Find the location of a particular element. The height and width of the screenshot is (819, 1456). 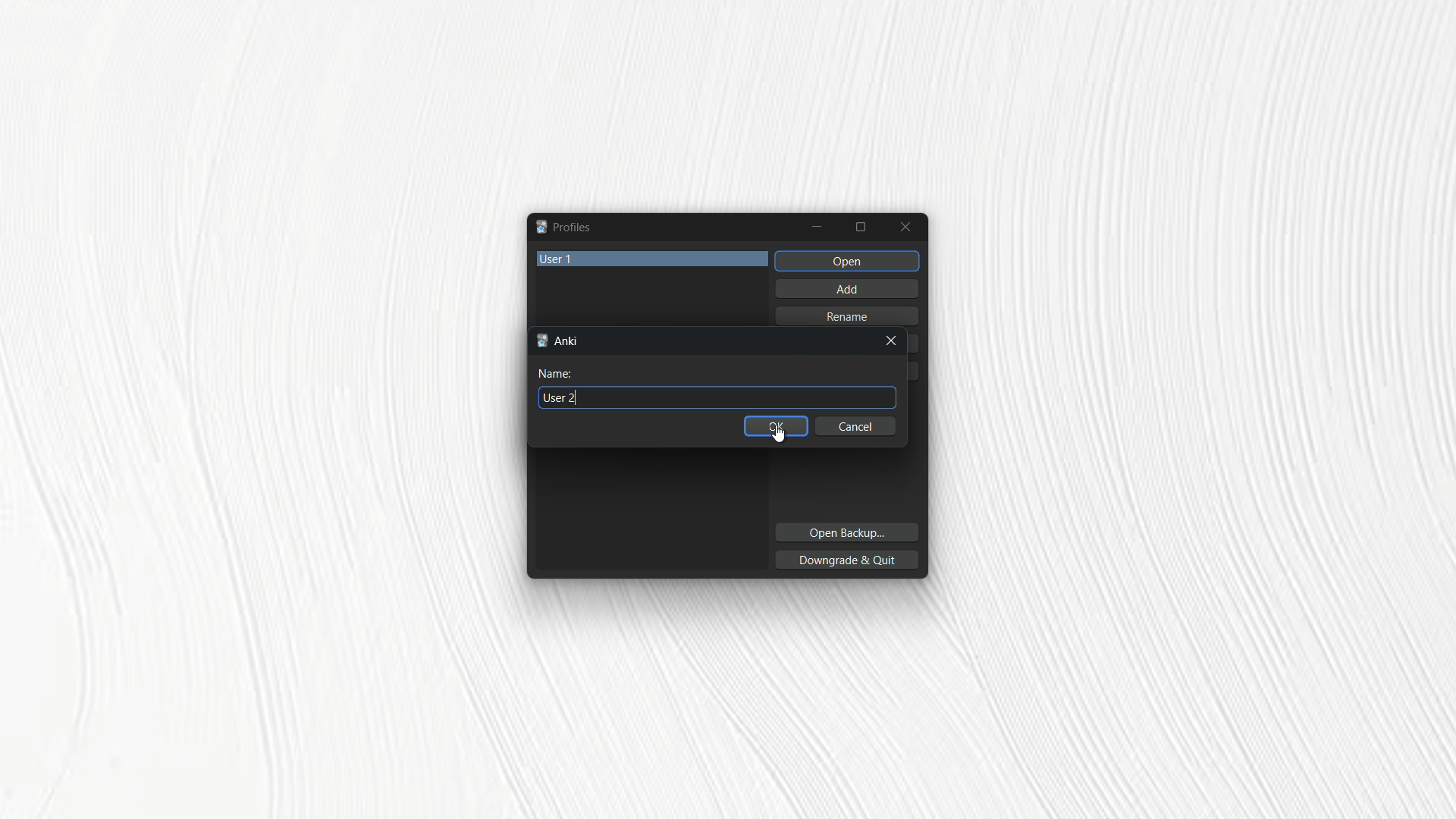

User 2 is located at coordinates (563, 397).